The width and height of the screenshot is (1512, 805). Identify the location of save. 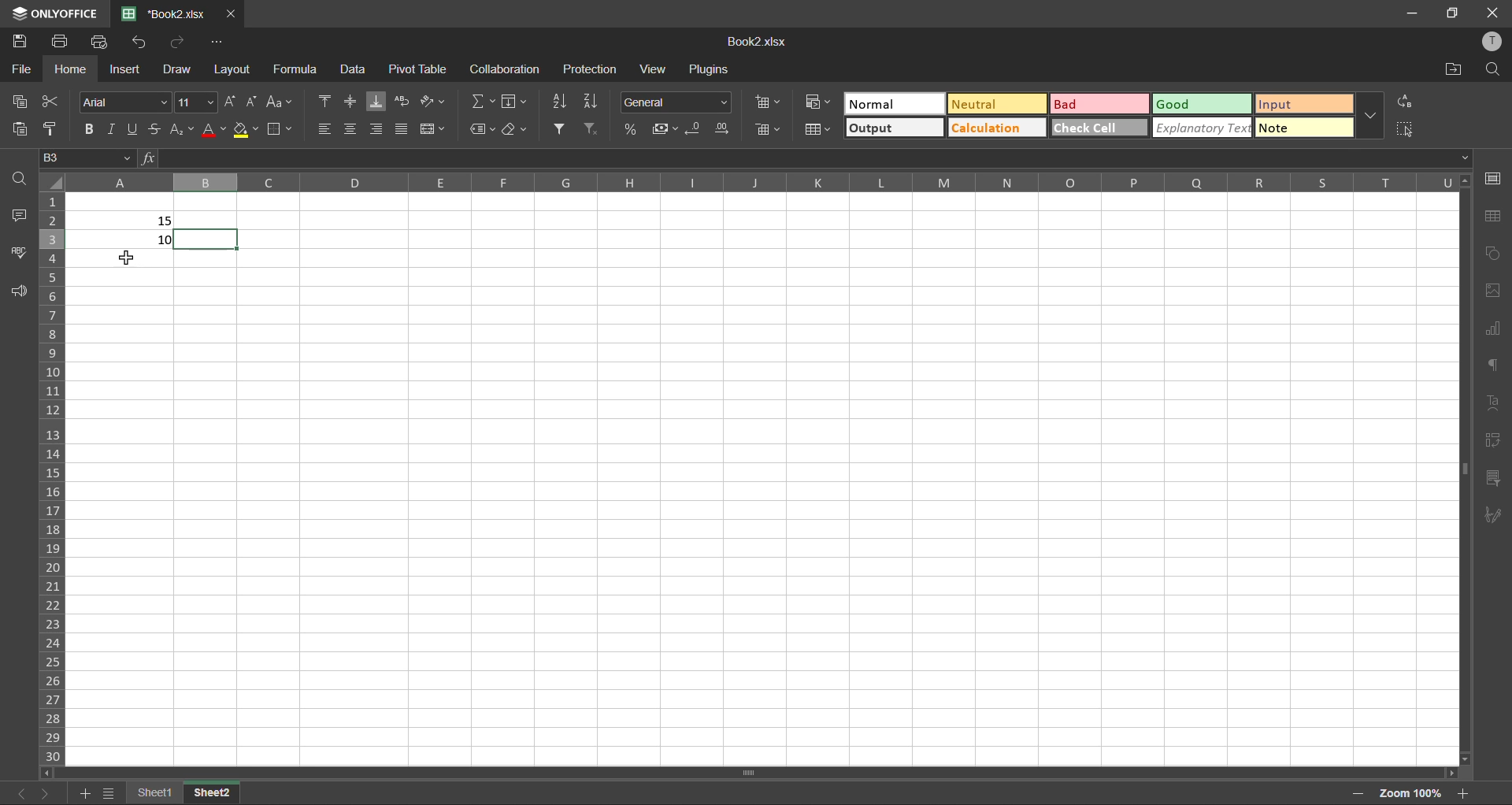
(19, 37).